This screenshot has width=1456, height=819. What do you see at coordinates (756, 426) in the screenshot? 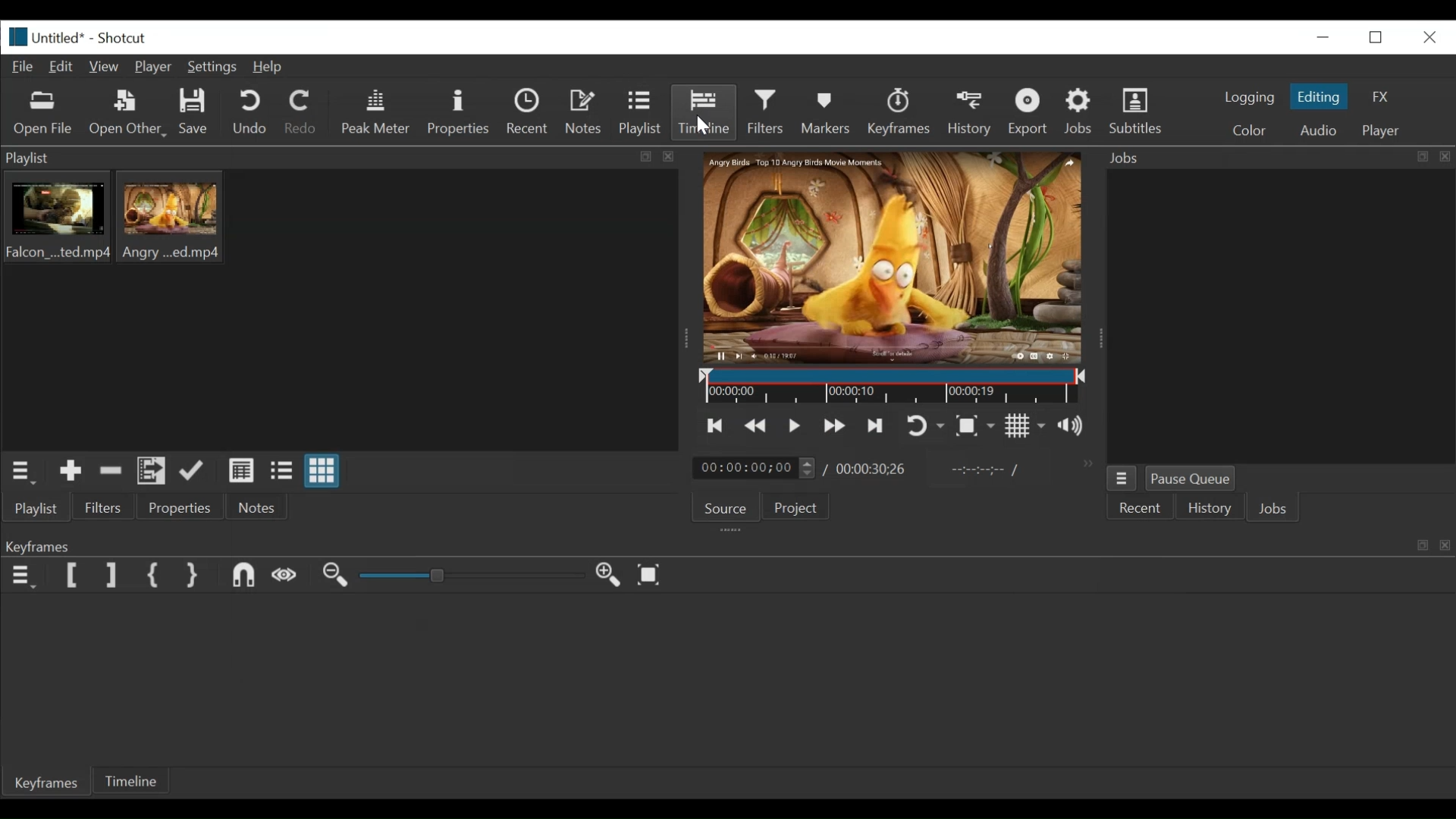
I see `play quickly backward` at bounding box center [756, 426].